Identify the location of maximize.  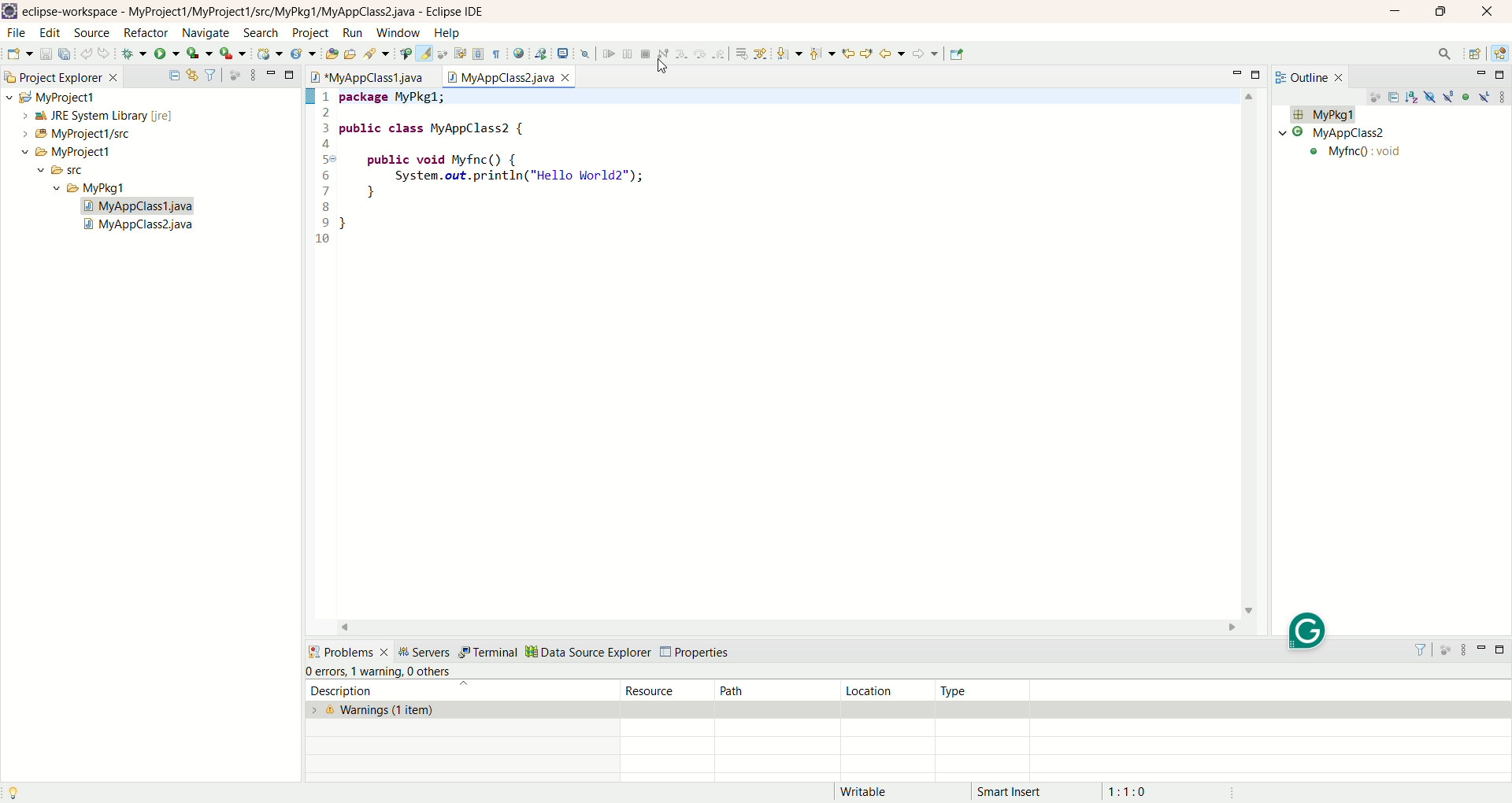
(1502, 652).